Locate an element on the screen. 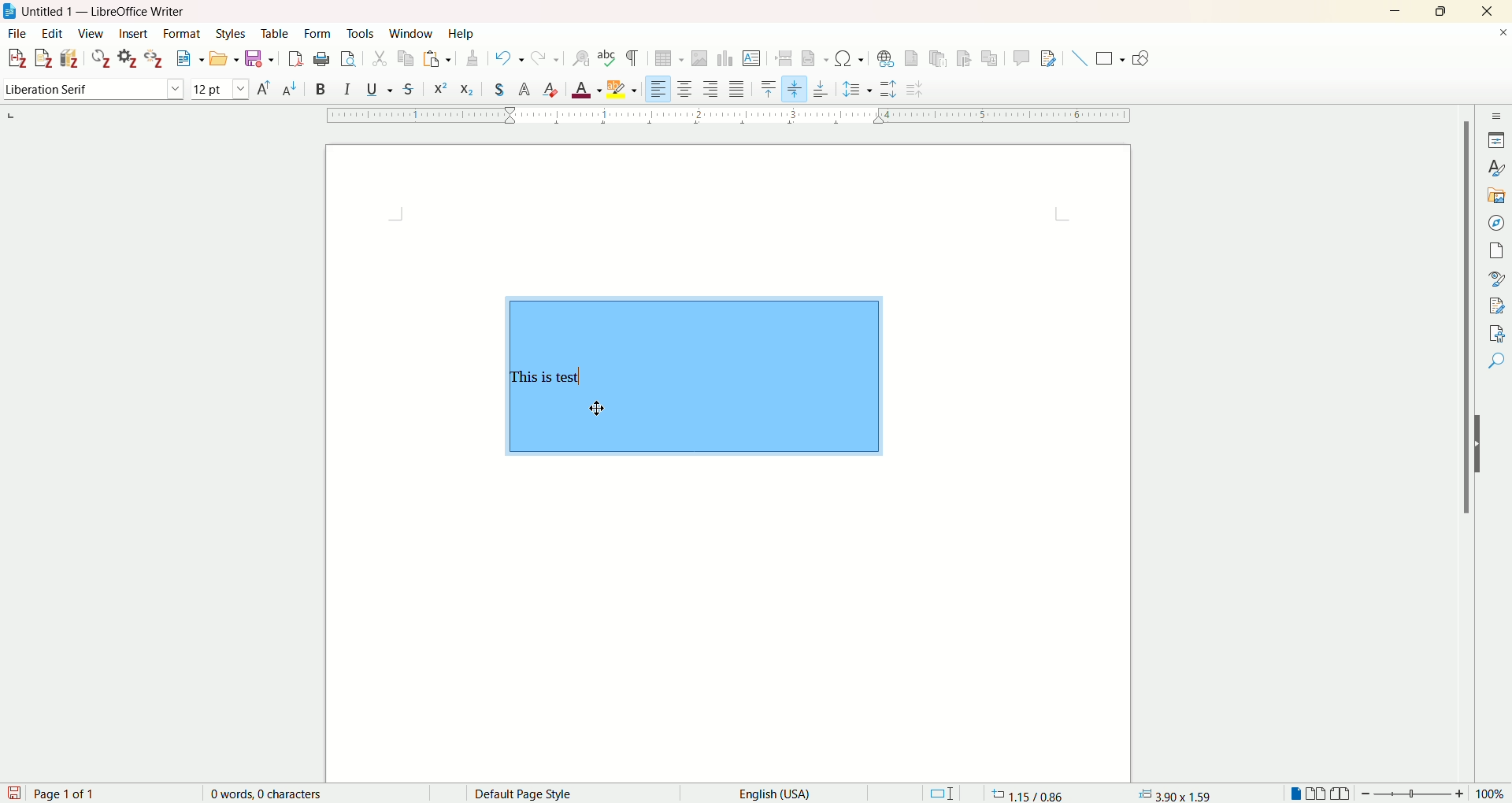 The width and height of the screenshot is (1512, 803). refresh is located at coordinates (102, 57).